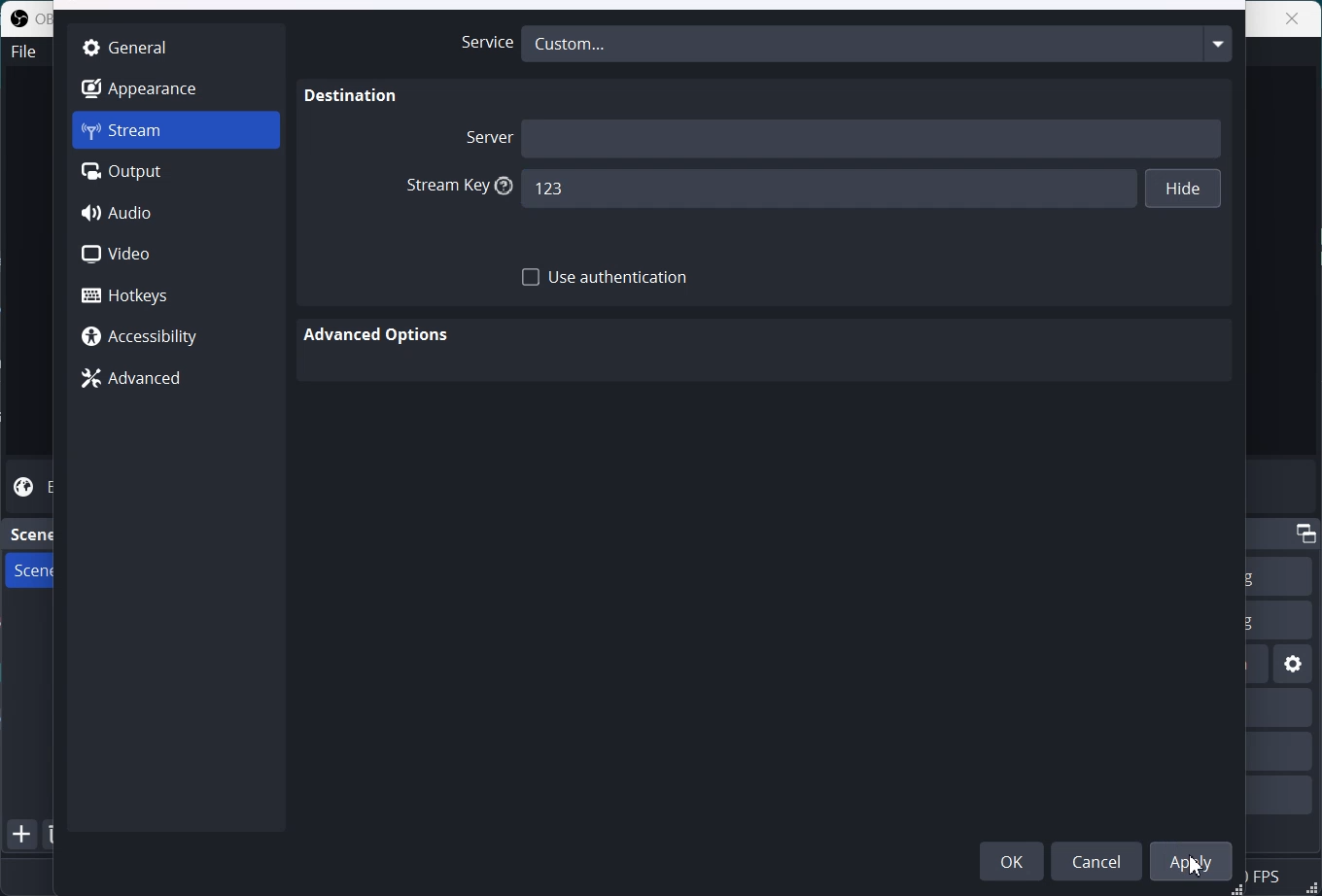  Describe the element at coordinates (1296, 21) in the screenshot. I see `close` at that location.